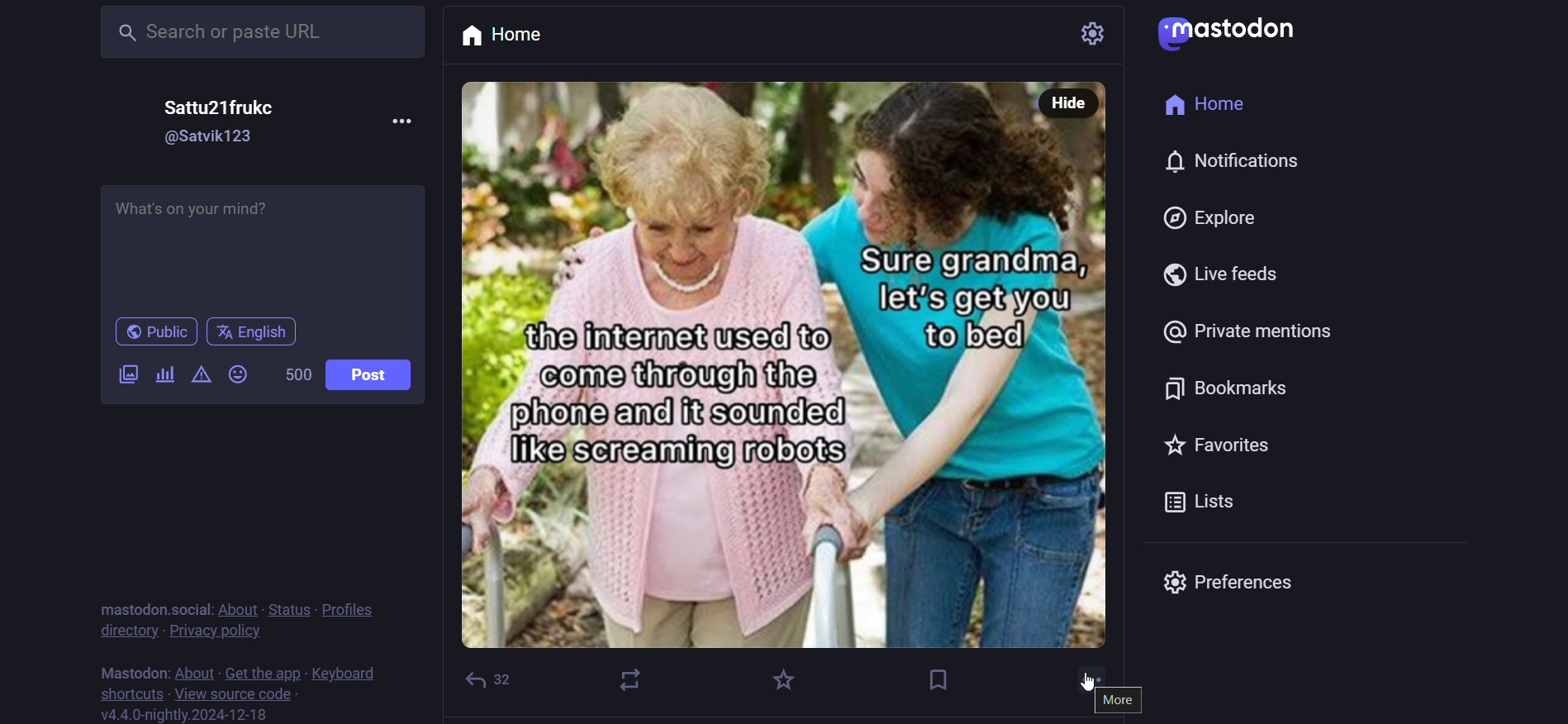 The width and height of the screenshot is (1568, 724). Describe the element at coordinates (1081, 687) in the screenshot. I see `cursor` at that location.